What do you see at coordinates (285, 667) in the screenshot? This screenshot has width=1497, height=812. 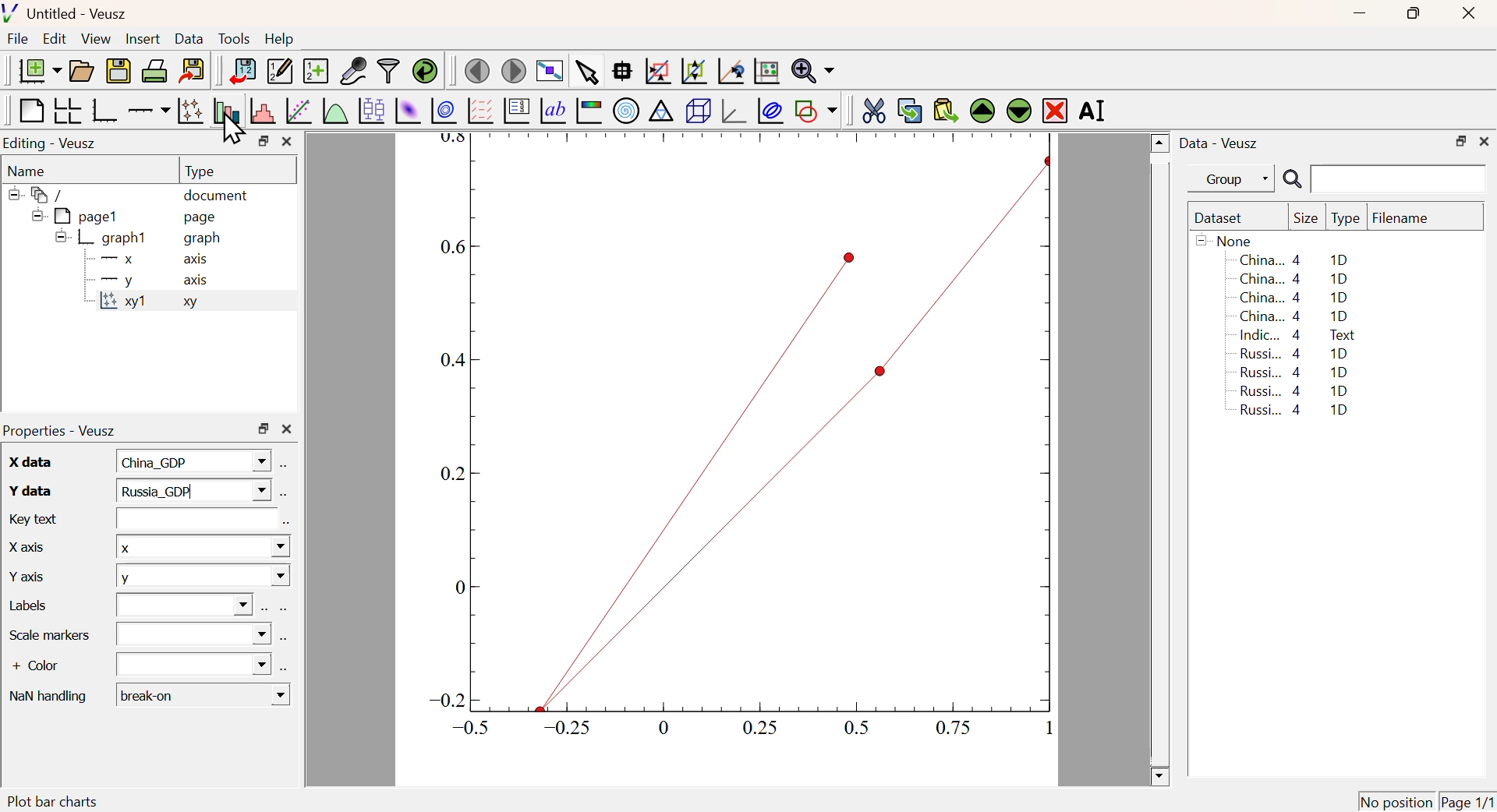 I see `Select using dataset Browser` at bounding box center [285, 667].